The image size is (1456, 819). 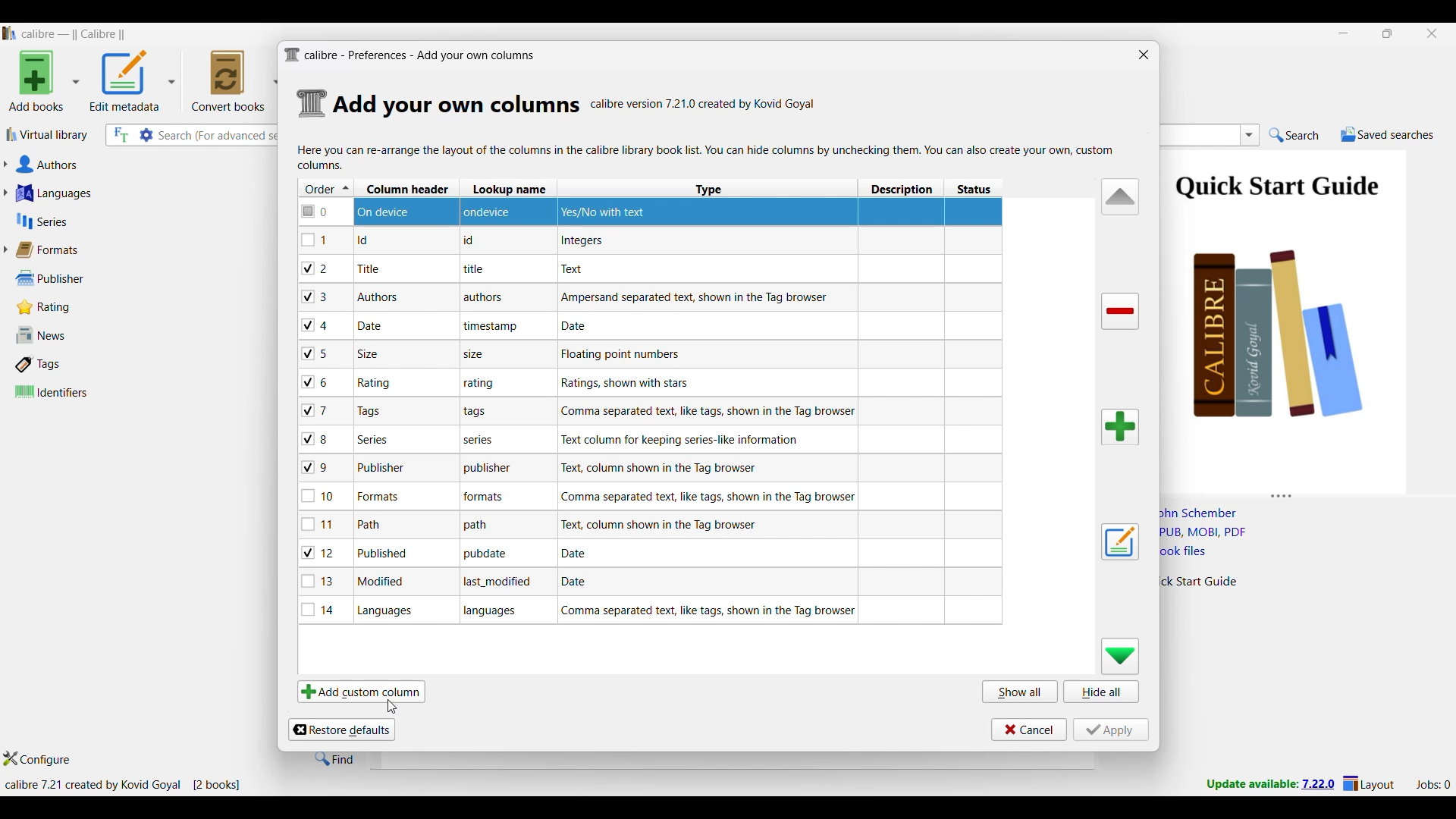 What do you see at coordinates (485, 555) in the screenshot?
I see `note` at bounding box center [485, 555].